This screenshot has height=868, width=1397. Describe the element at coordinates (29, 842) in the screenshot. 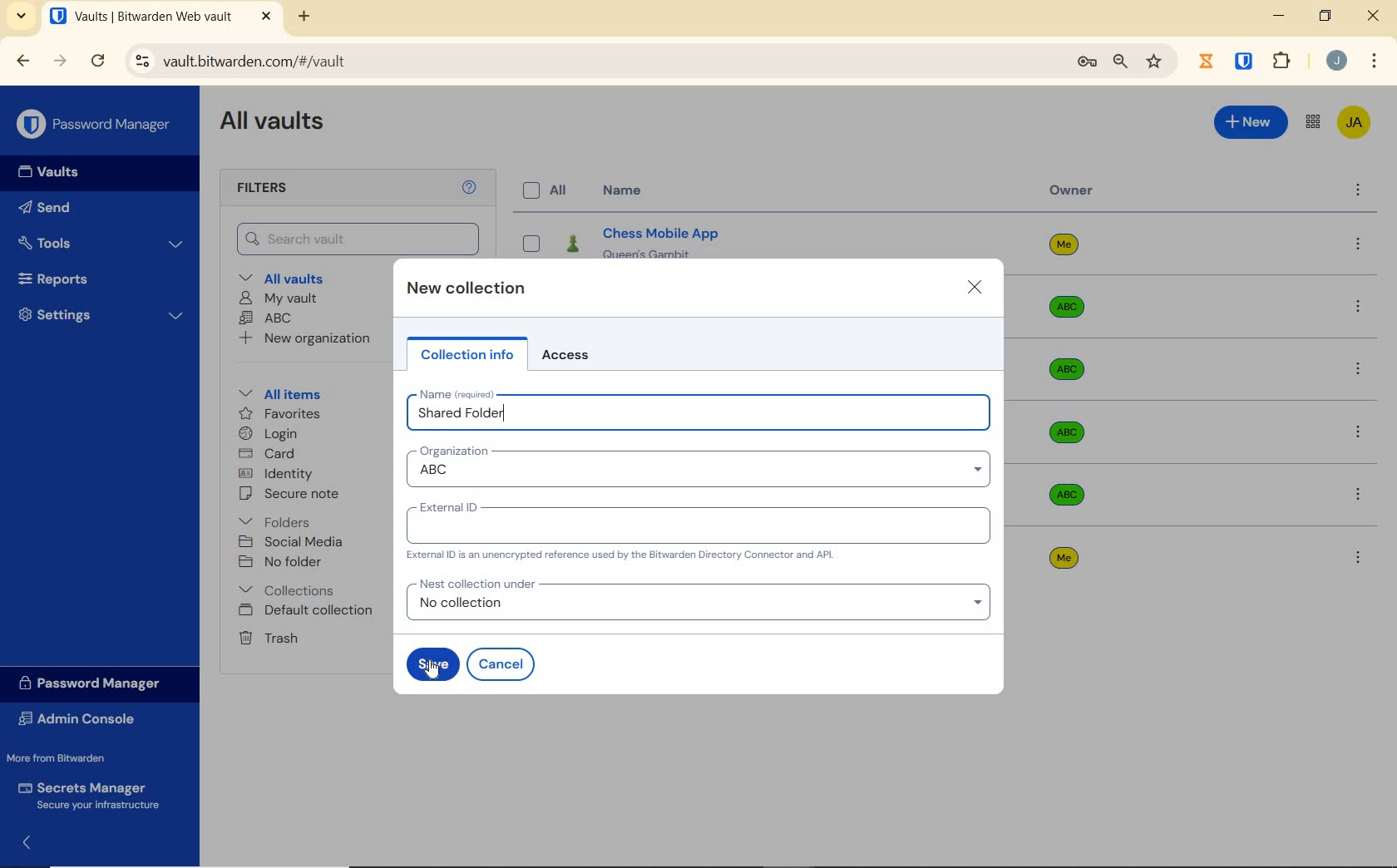

I see `back` at that location.